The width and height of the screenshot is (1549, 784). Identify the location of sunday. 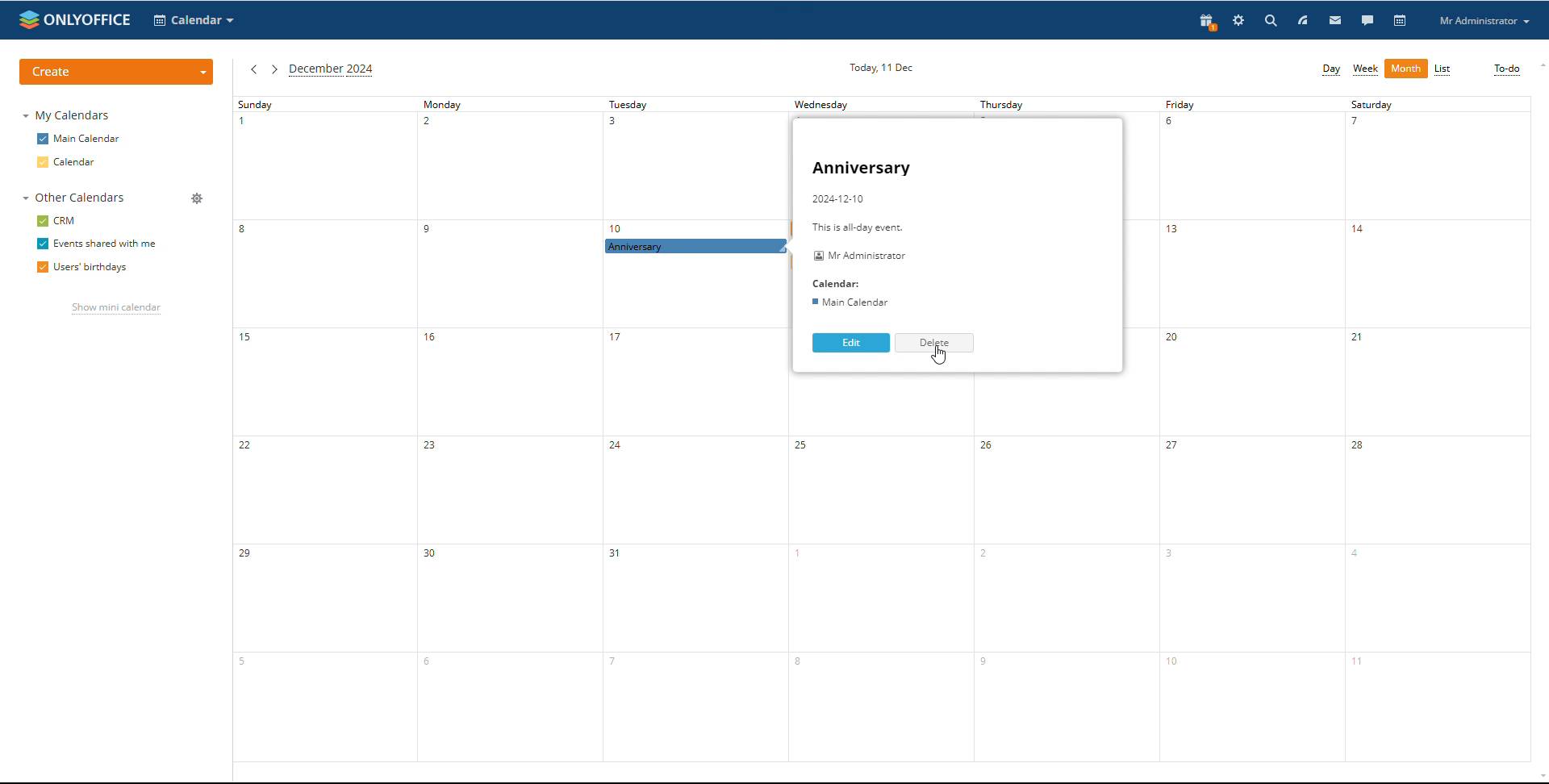
(325, 429).